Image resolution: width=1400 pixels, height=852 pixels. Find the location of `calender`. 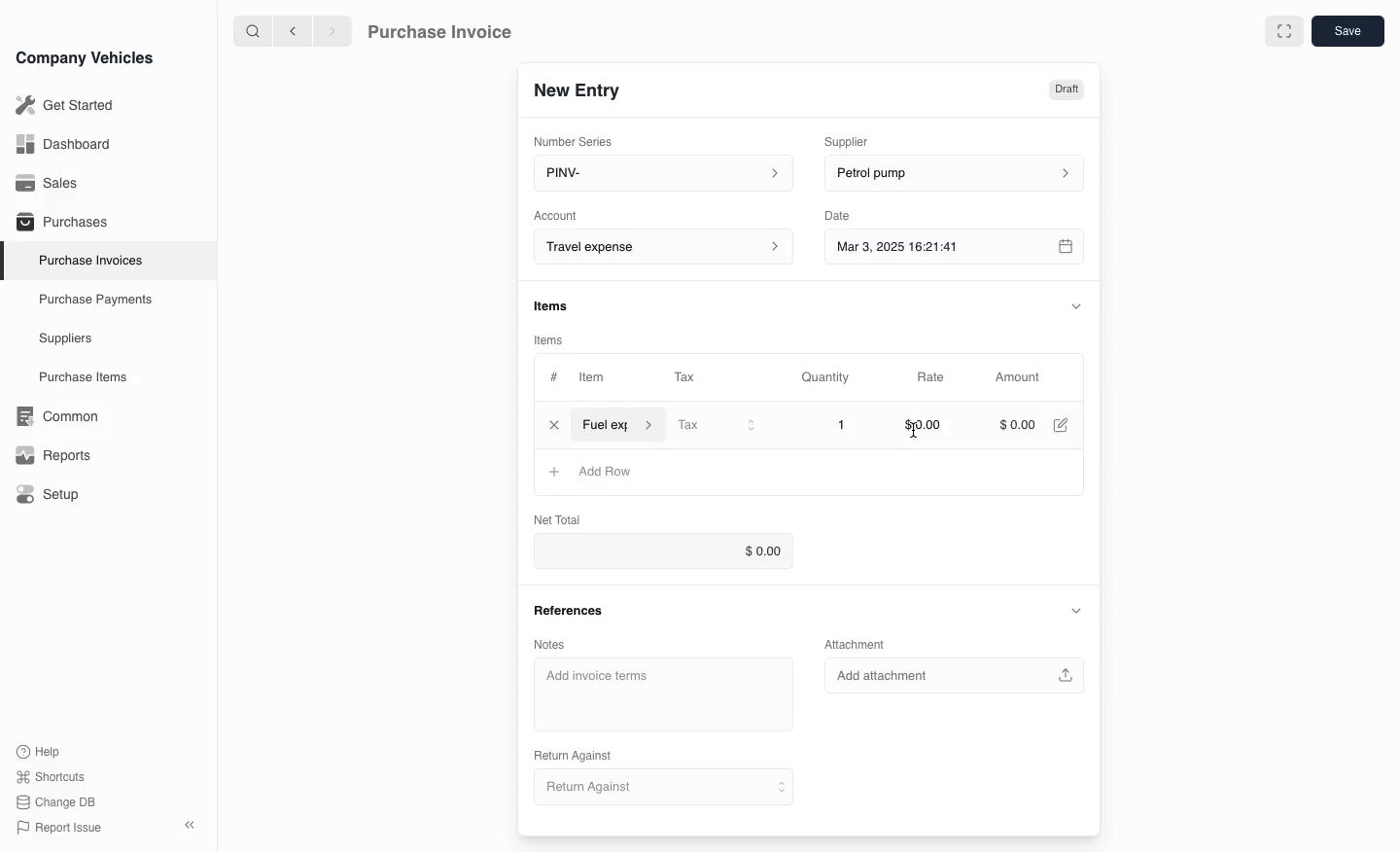

calender is located at coordinates (1067, 248).